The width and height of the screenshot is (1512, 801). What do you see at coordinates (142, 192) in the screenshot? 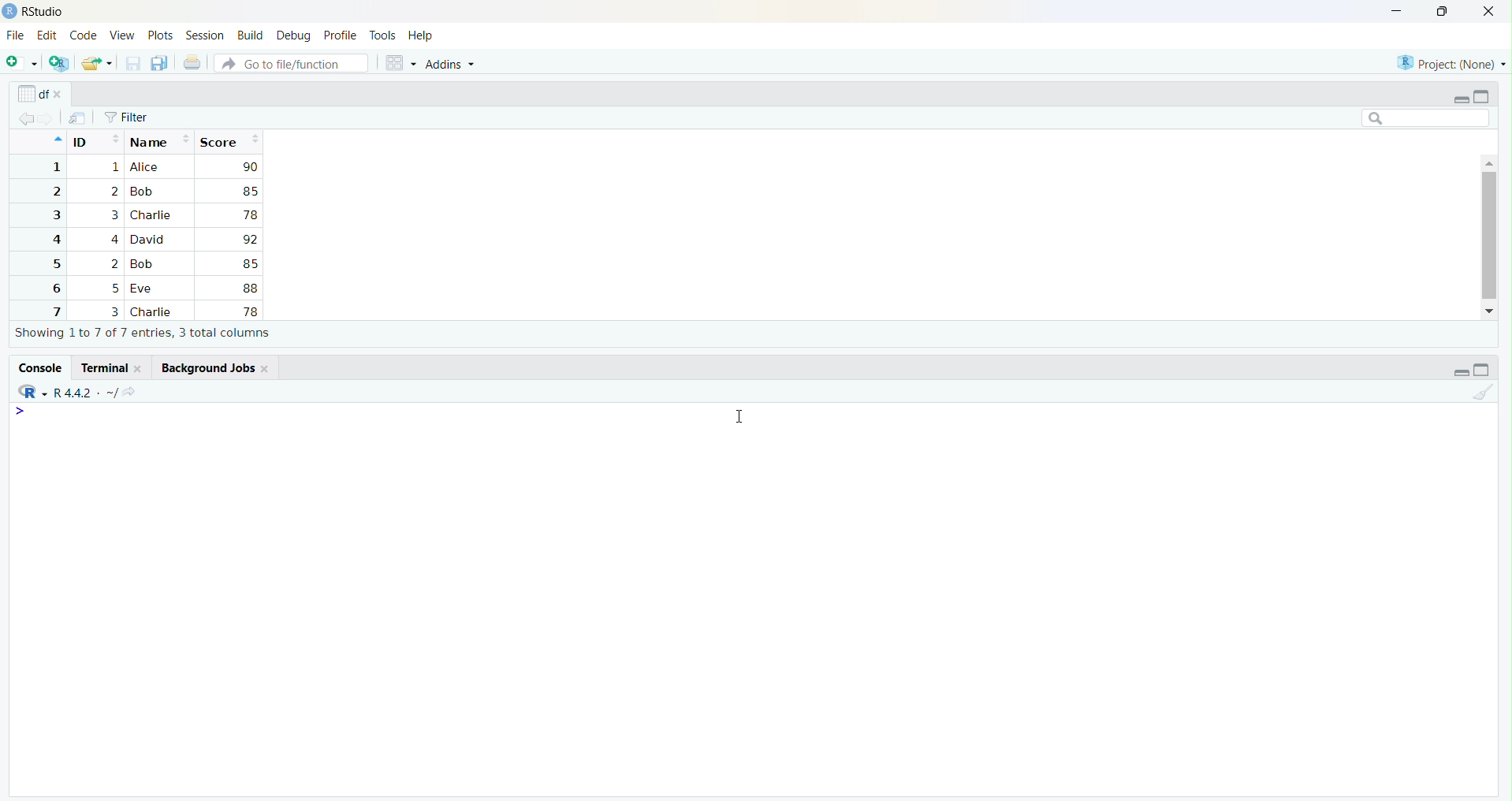
I see `Bob` at bounding box center [142, 192].